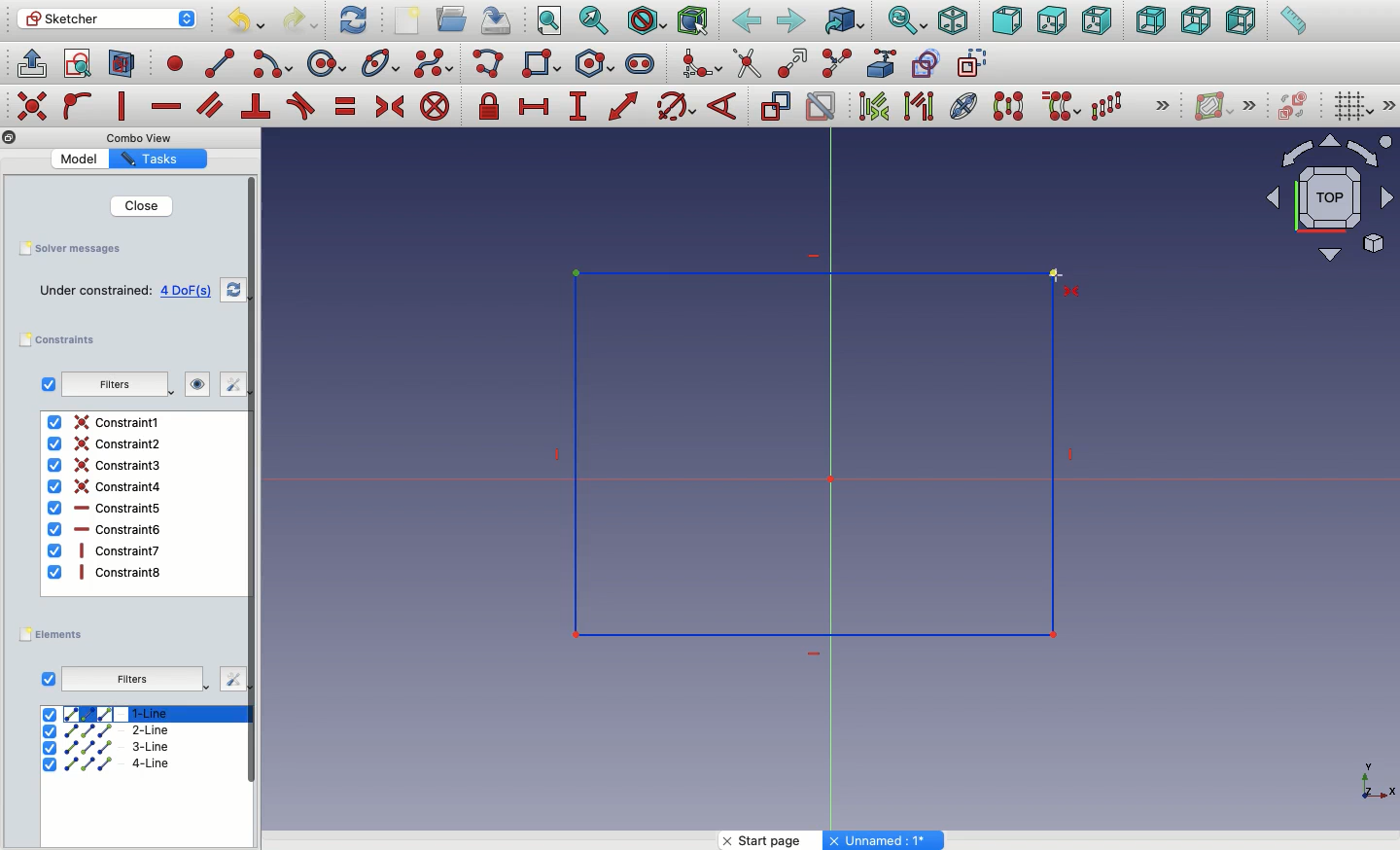 This screenshot has height=850, width=1400. I want to click on Draw style, so click(646, 21).